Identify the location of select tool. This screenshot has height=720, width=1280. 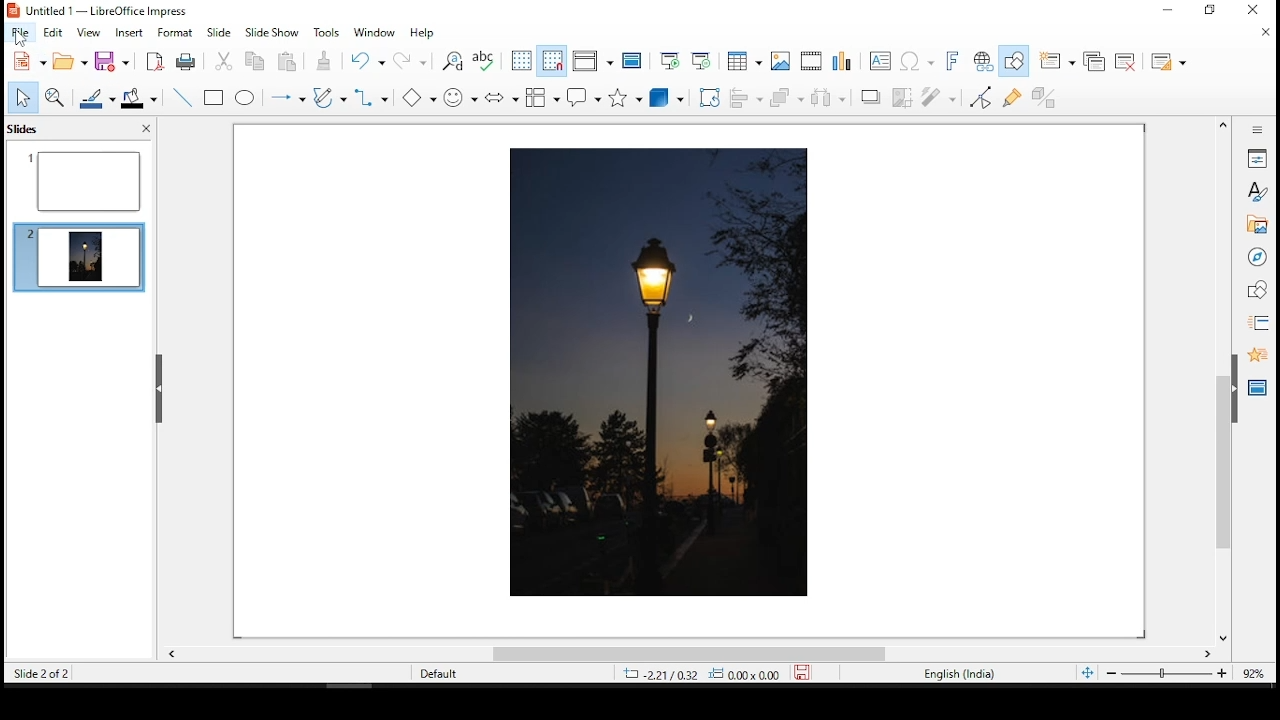
(24, 97).